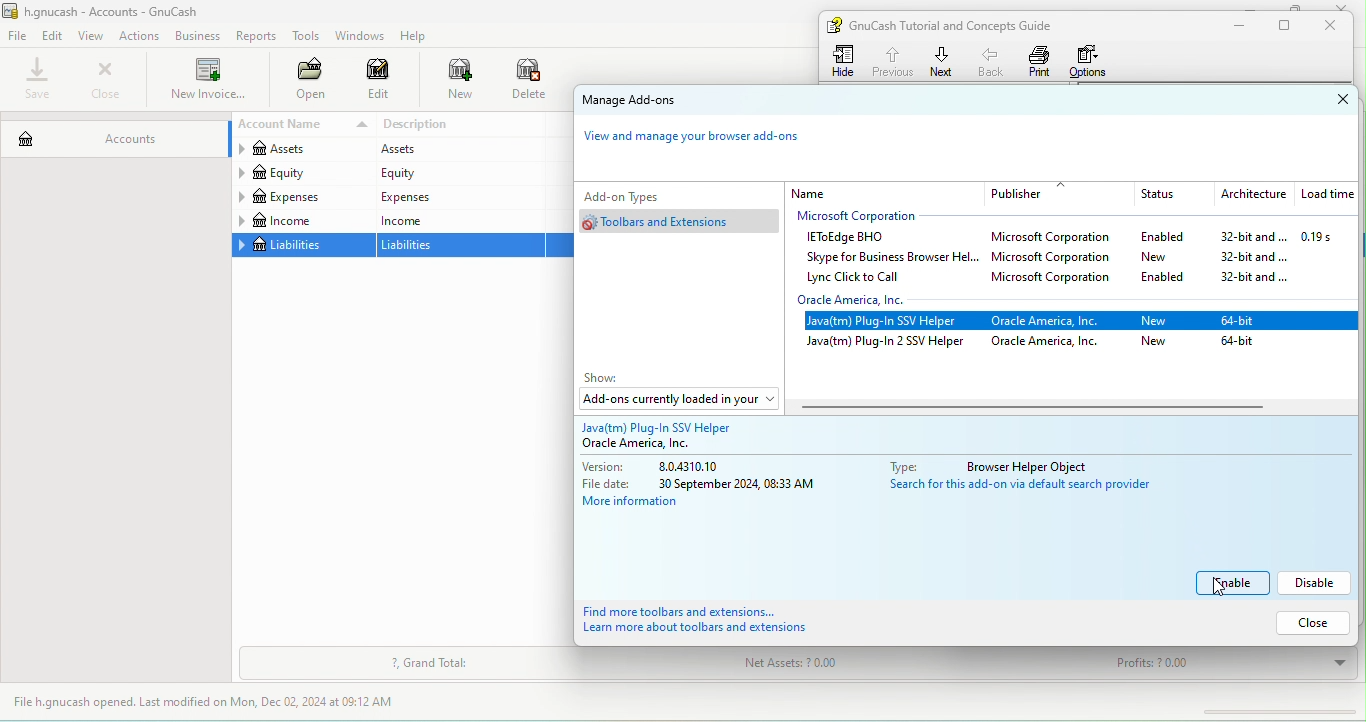 Image resolution: width=1366 pixels, height=722 pixels. I want to click on reports, so click(258, 36).